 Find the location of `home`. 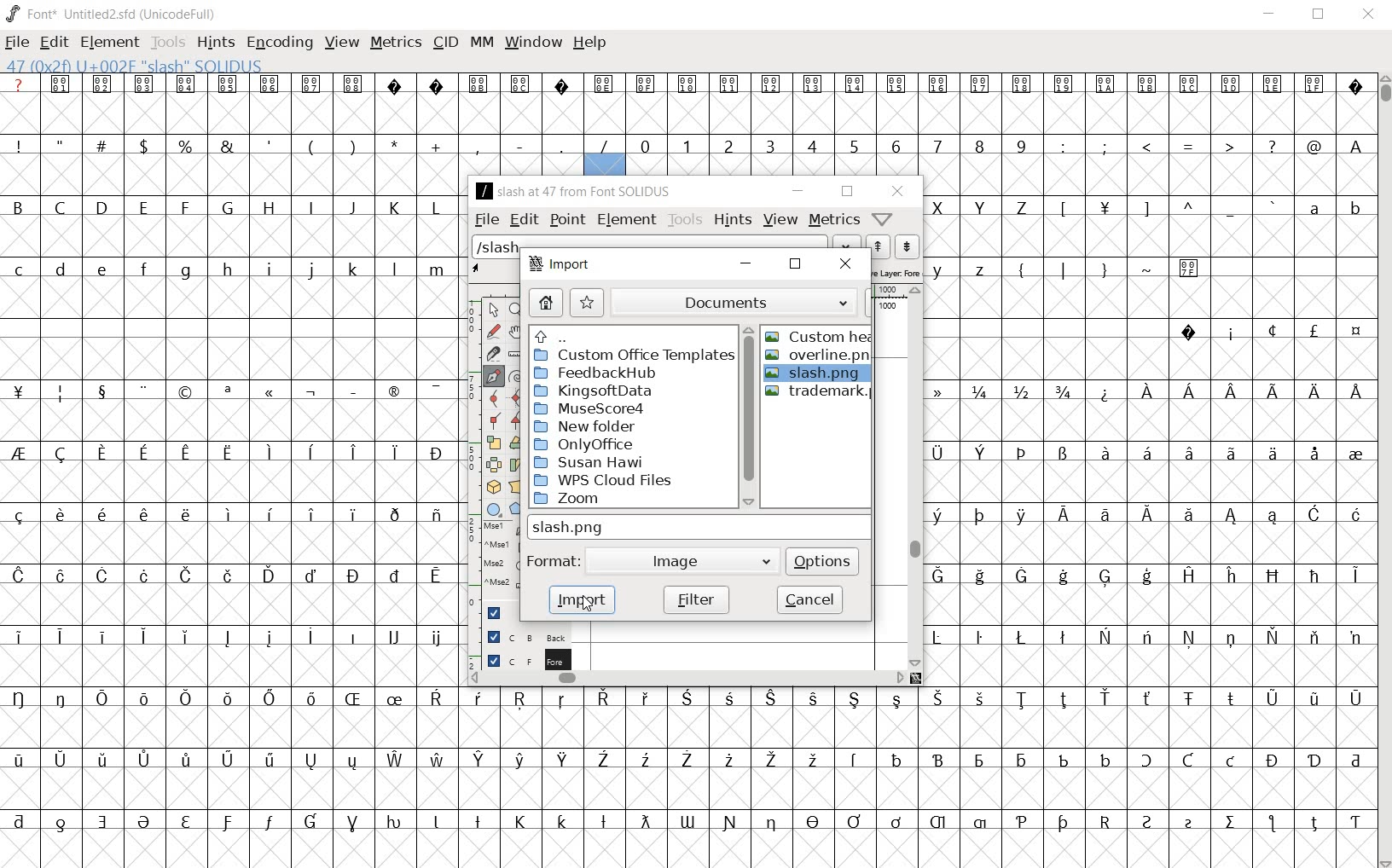

home is located at coordinates (544, 301).